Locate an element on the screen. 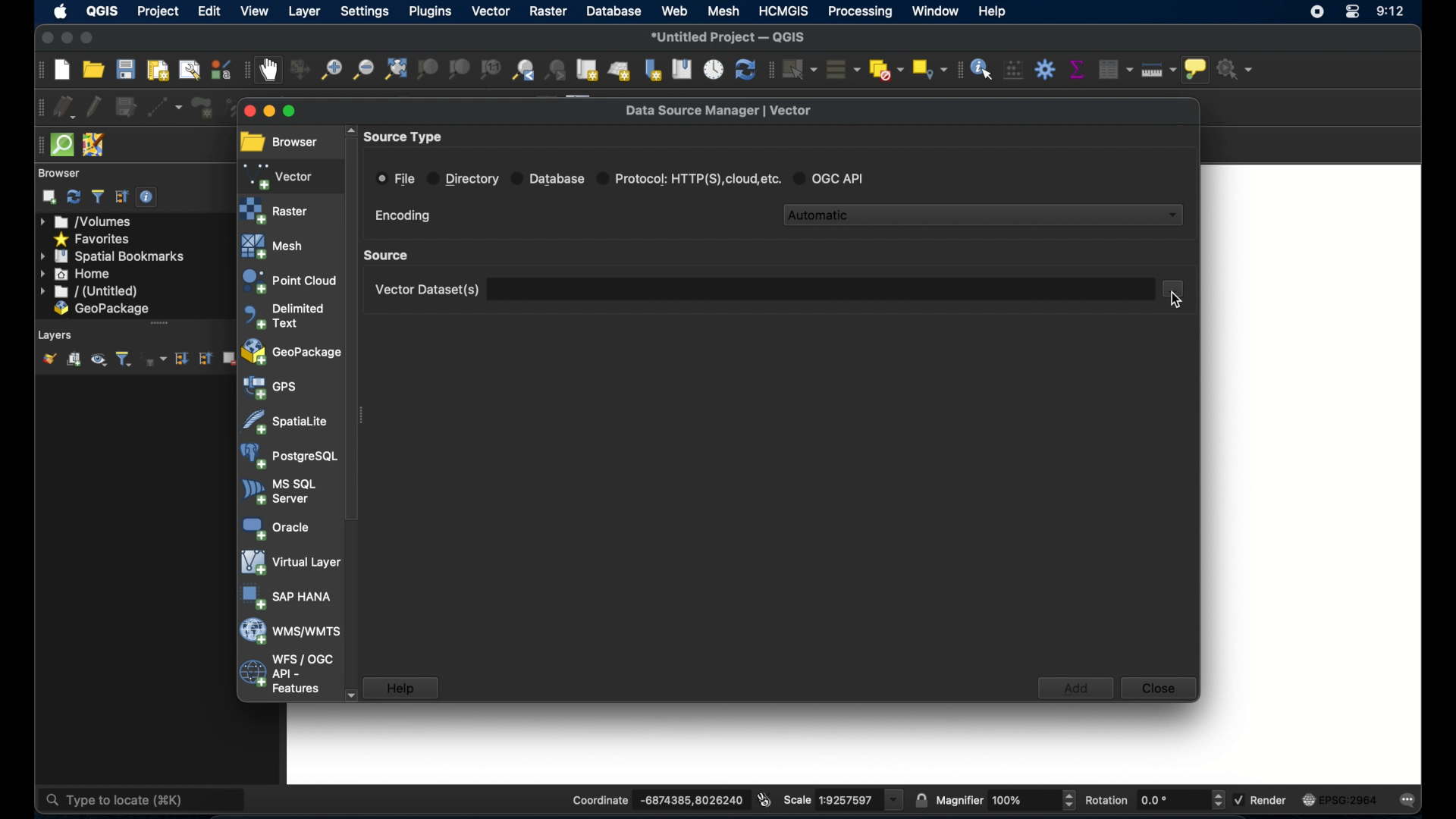 The image size is (1456, 819). scroll up arrow is located at coordinates (348, 128).